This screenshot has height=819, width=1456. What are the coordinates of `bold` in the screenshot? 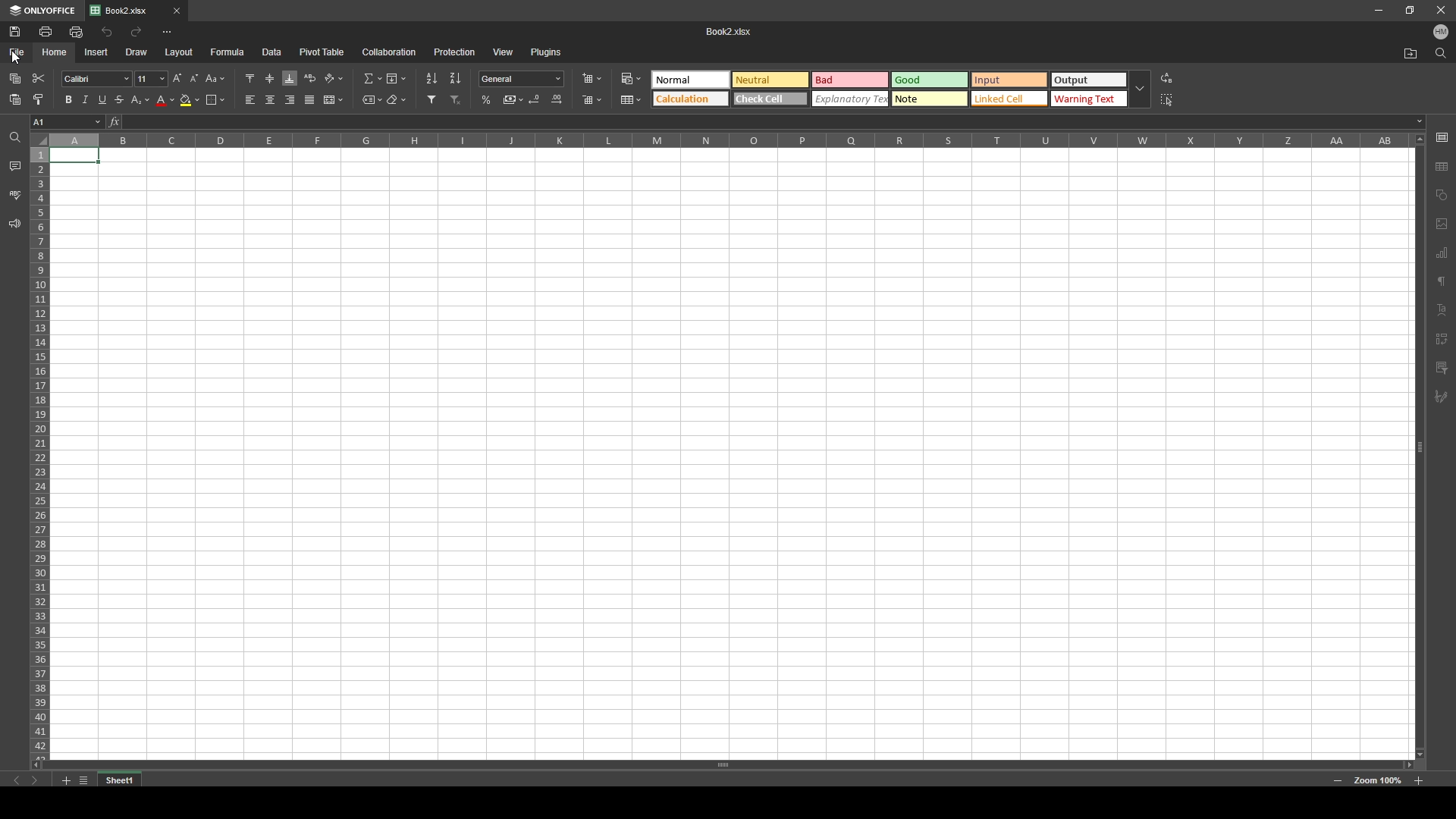 It's located at (64, 99).